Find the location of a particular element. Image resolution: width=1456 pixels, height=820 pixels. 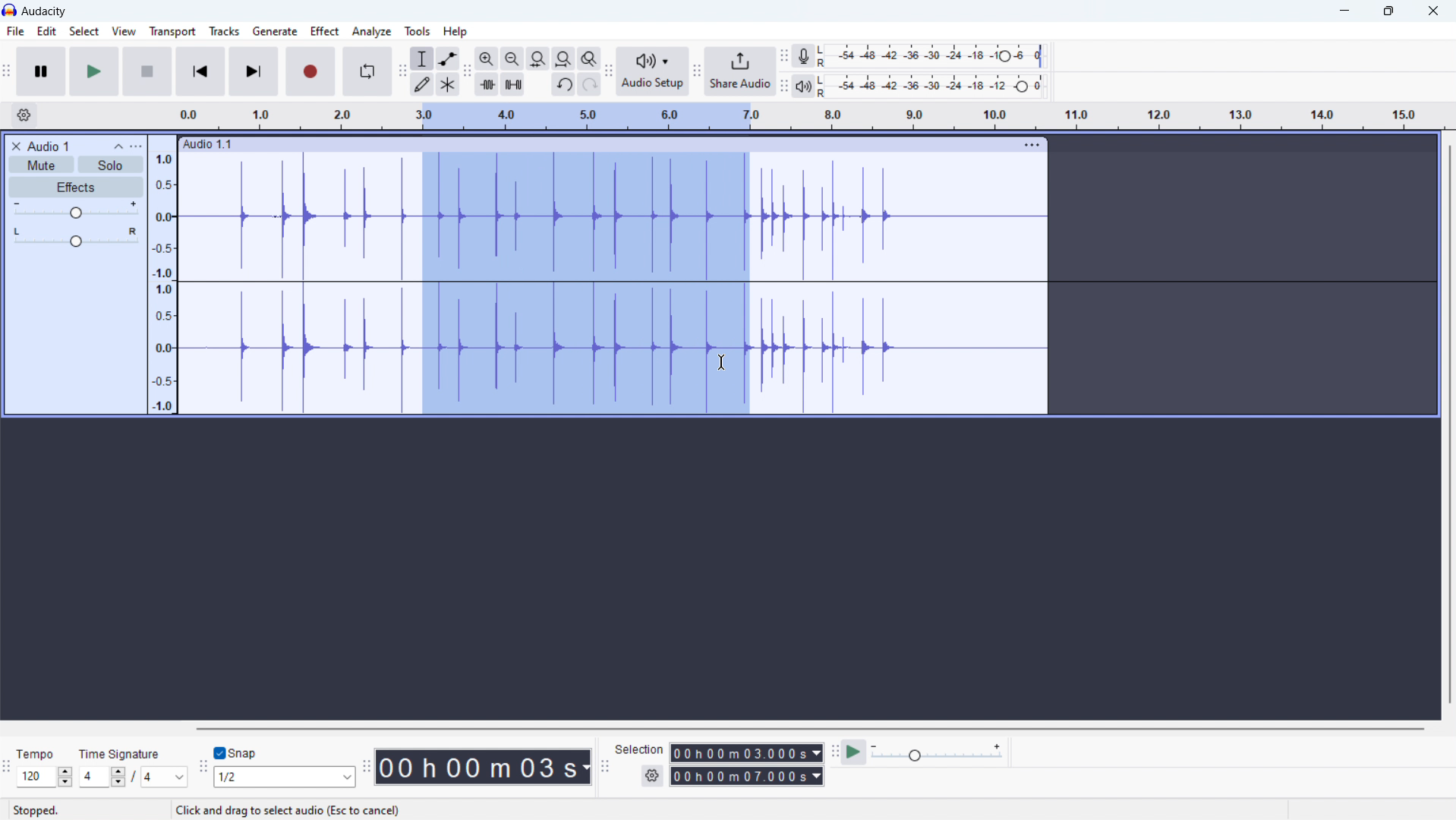

fit project to width is located at coordinates (564, 58).